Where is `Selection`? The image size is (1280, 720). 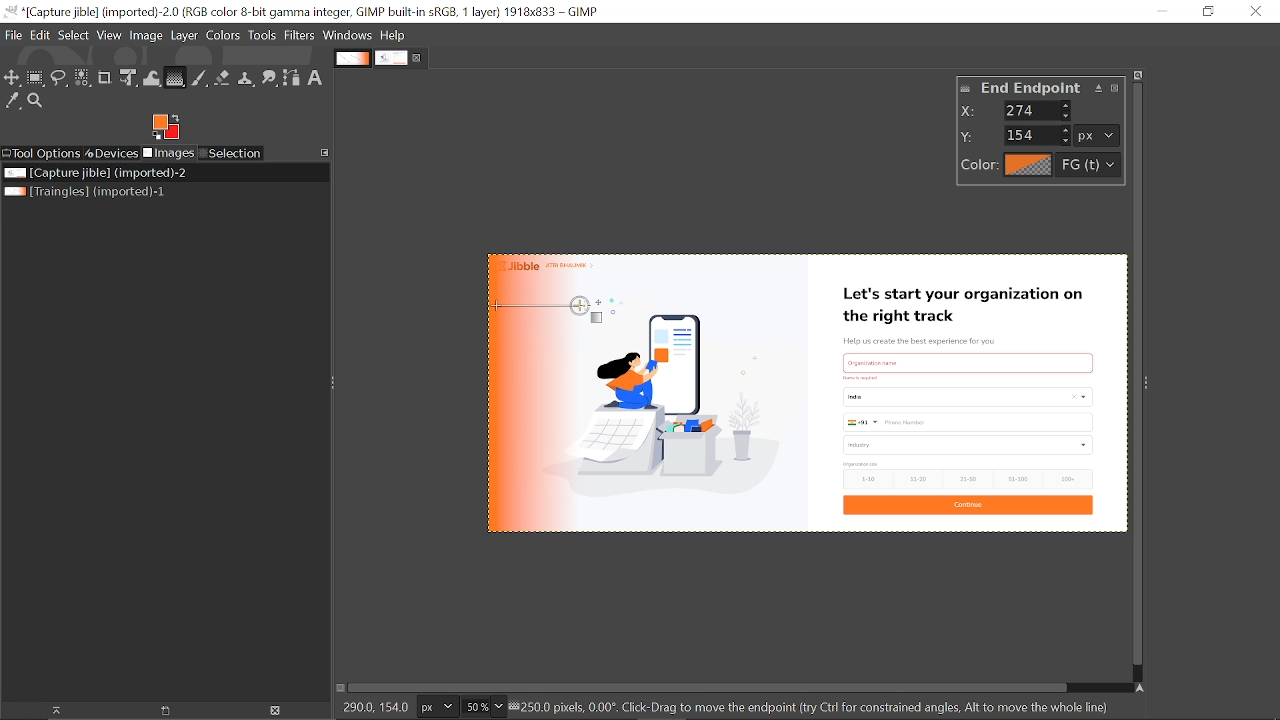
Selection is located at coordinates (232, 153).